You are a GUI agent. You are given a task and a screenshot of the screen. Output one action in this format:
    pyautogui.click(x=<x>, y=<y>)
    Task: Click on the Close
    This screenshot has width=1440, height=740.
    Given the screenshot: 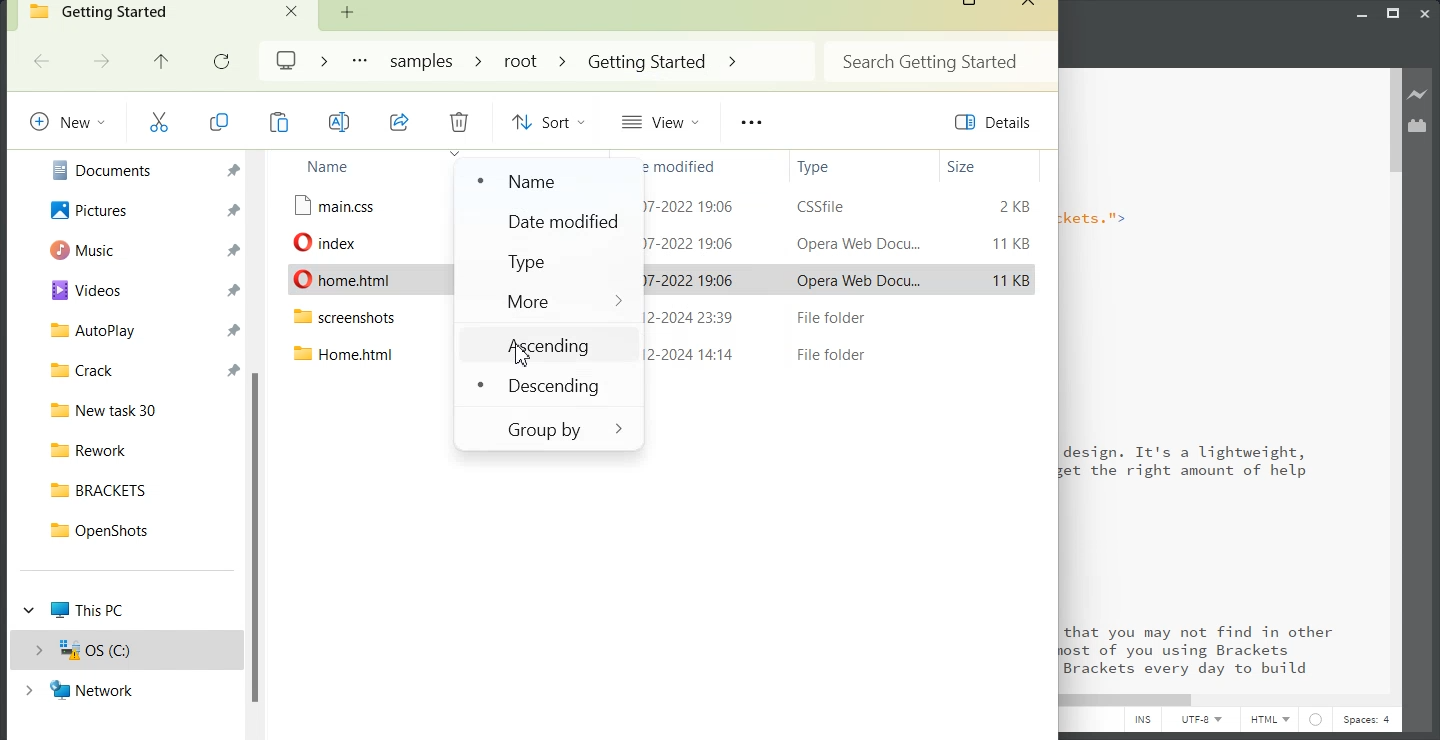 What is the action you would take?
    pyautogui.click(x=293, y=10)
    